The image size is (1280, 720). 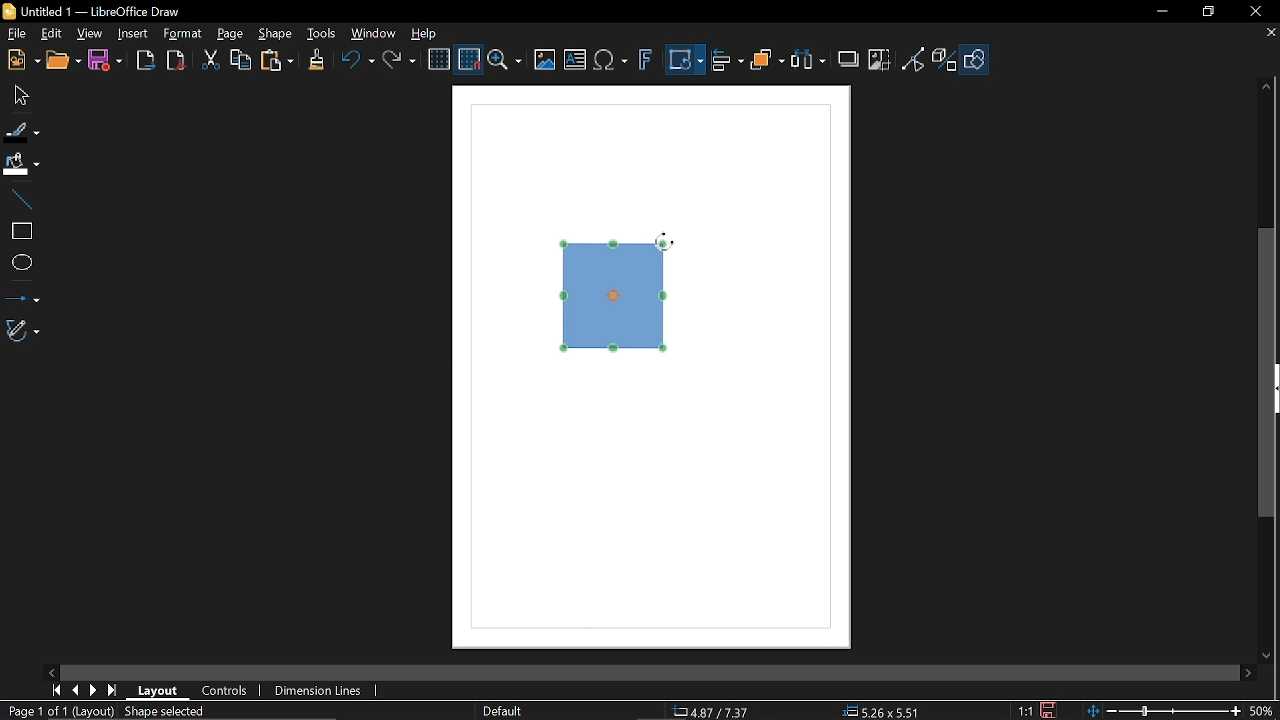 I want to click on Export, so click(x=142, y=60).